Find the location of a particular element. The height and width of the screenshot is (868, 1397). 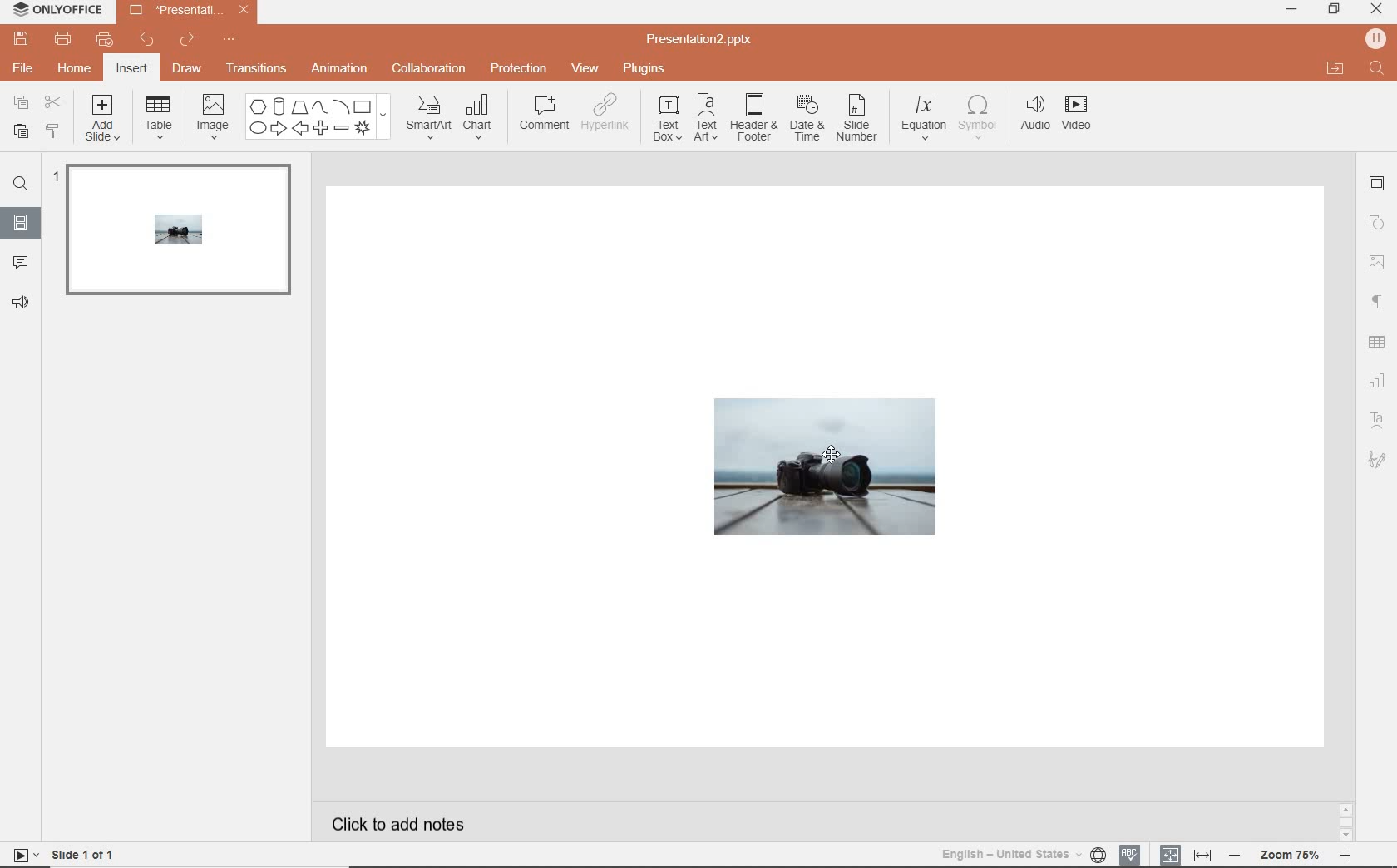

table settings is located at coordinates (1376, 341).